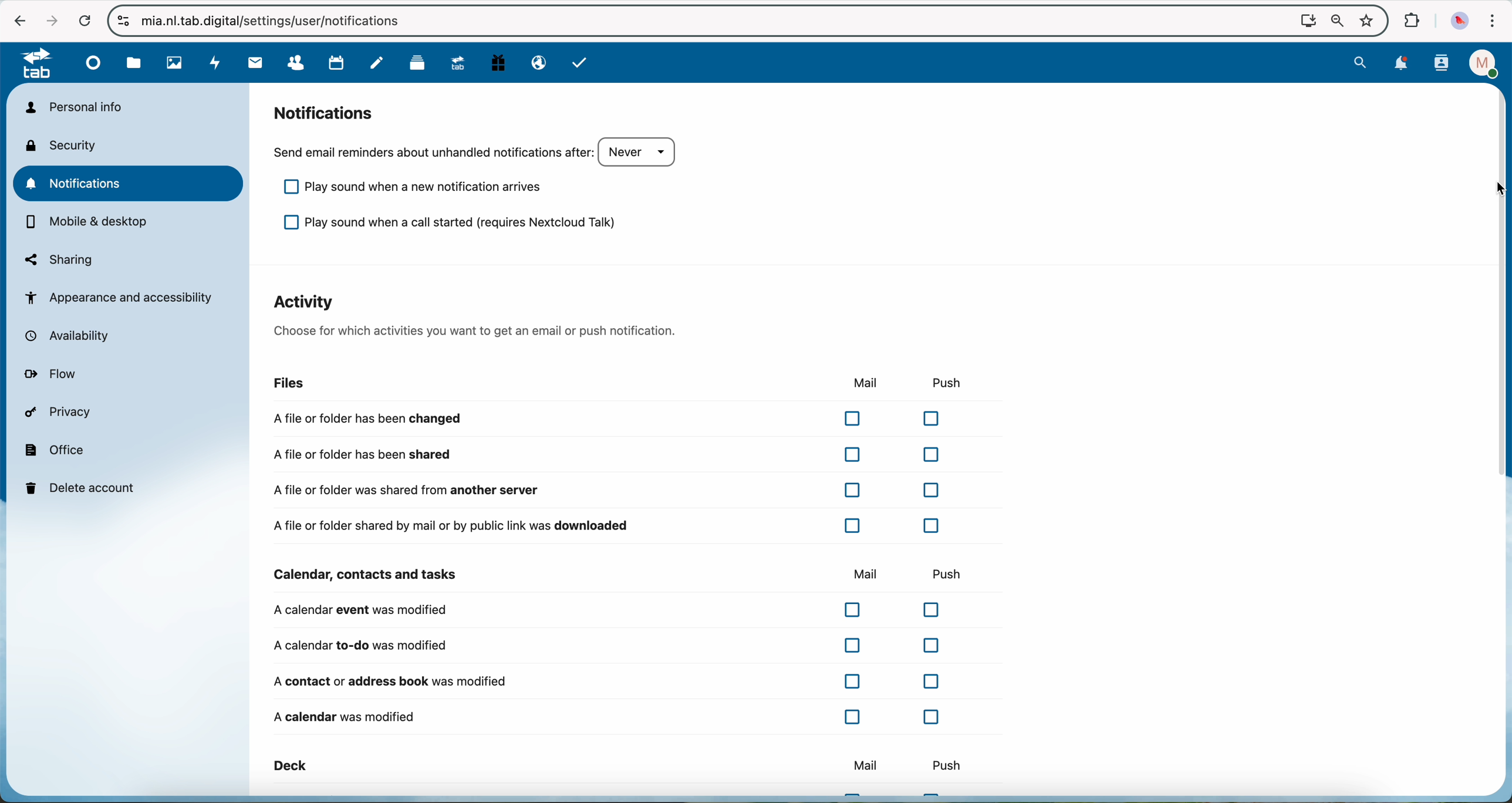 Image resolution: width=1512 pixels, height=803 pixels. Describe the element at coordinates (536, 63) in the screenshot. I see `email` at that location.